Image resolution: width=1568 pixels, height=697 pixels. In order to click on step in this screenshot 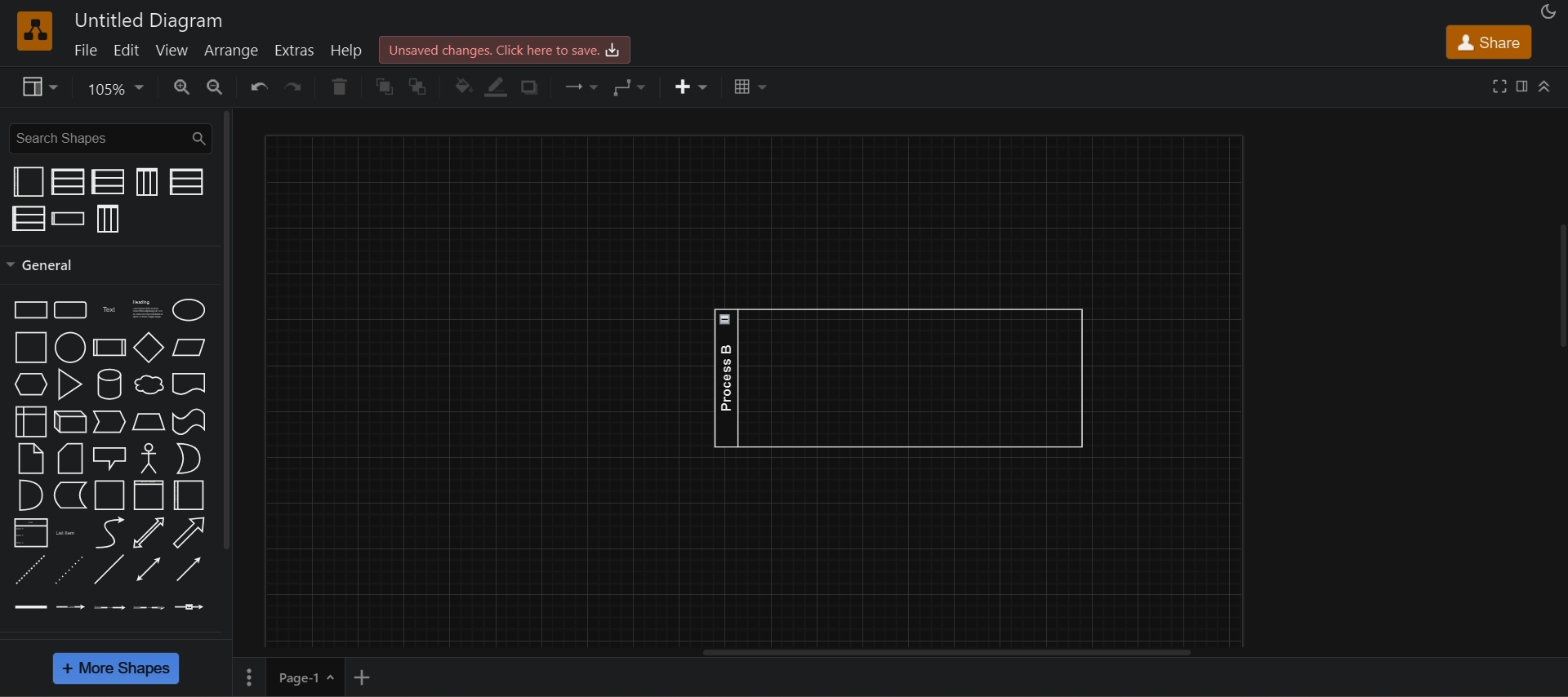, I will do `click(109, 422)`.